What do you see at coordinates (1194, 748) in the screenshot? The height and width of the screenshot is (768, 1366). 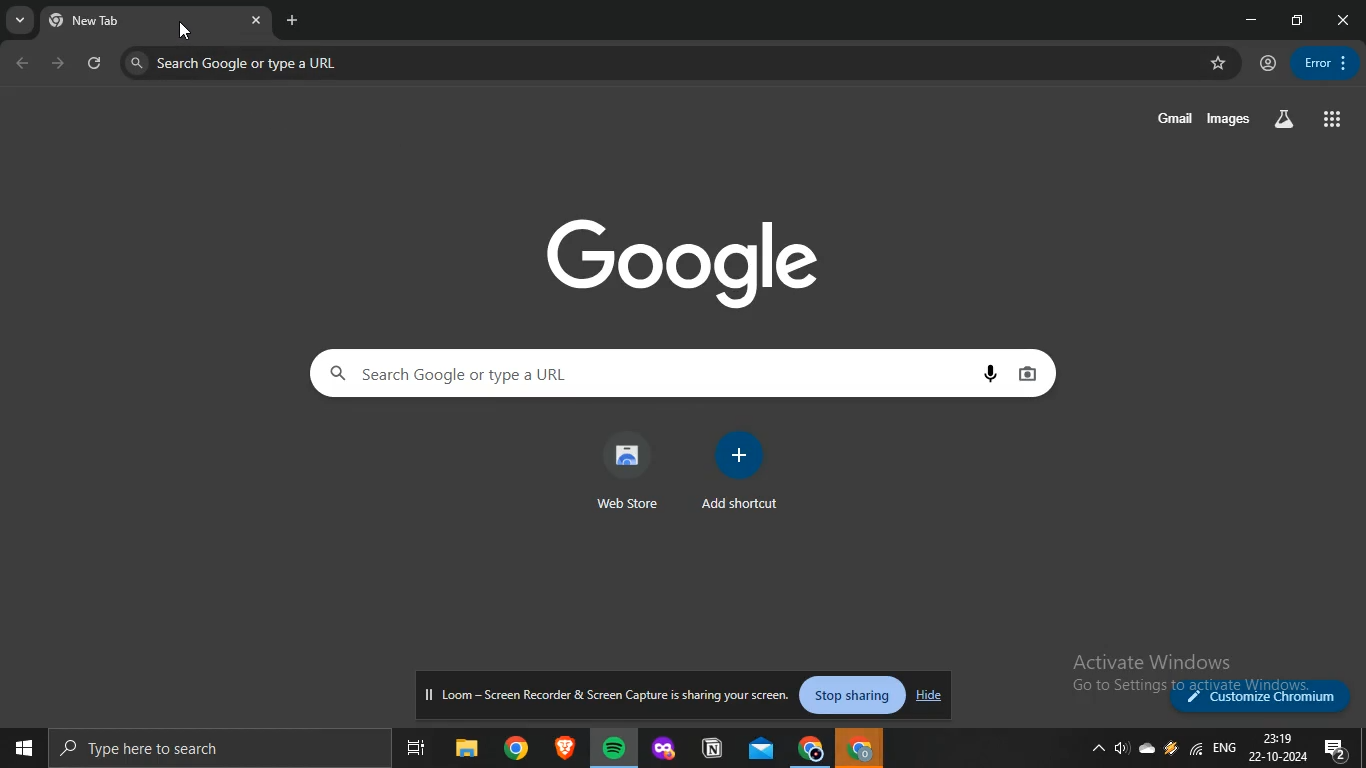 I see `wifi` at bounding box center [1194, 748].